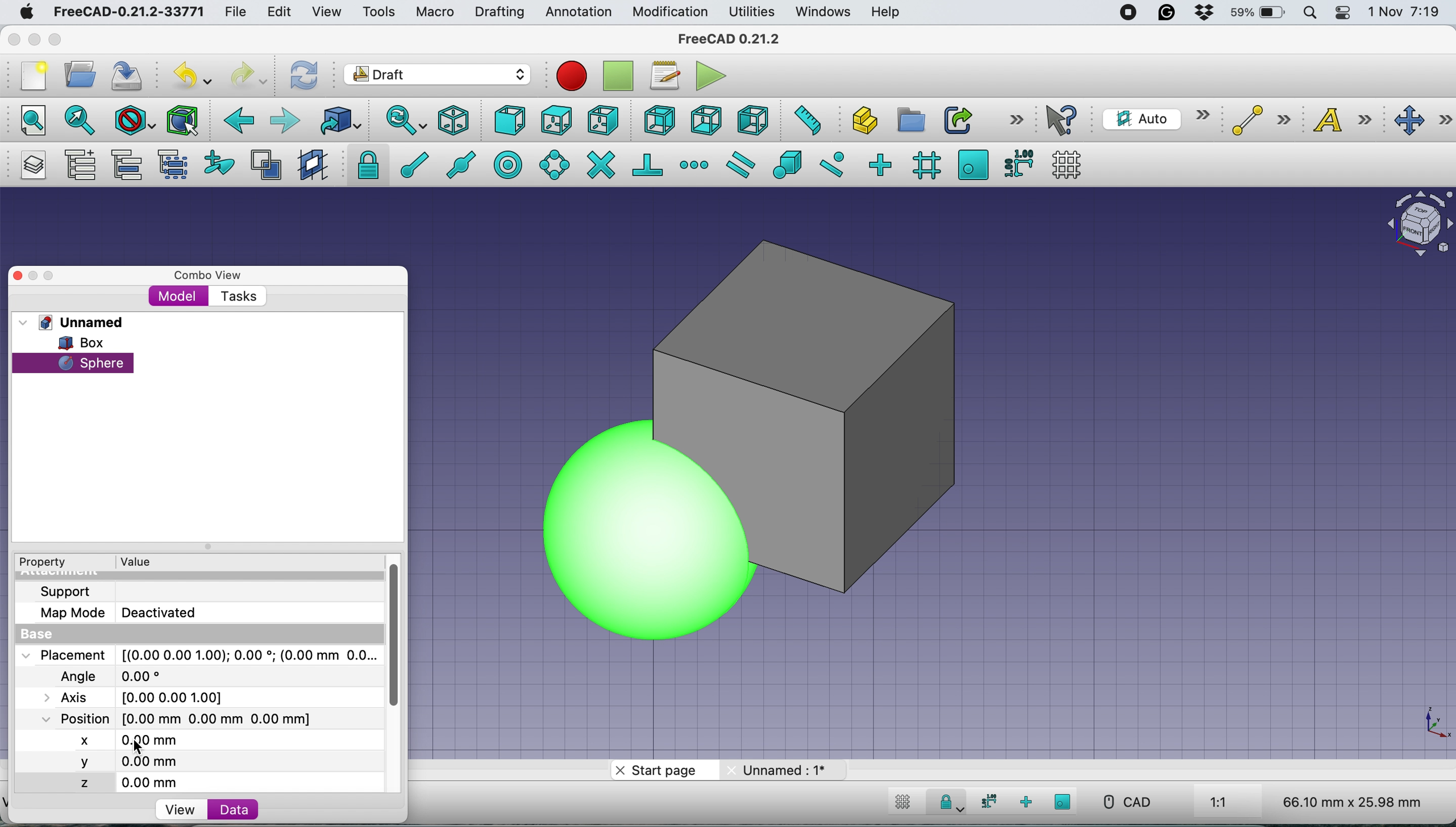 This screenshot has height=827, width=1456. Describe the element at coordinates (28, 12) in the screenshot. I see `system logo` at that location.